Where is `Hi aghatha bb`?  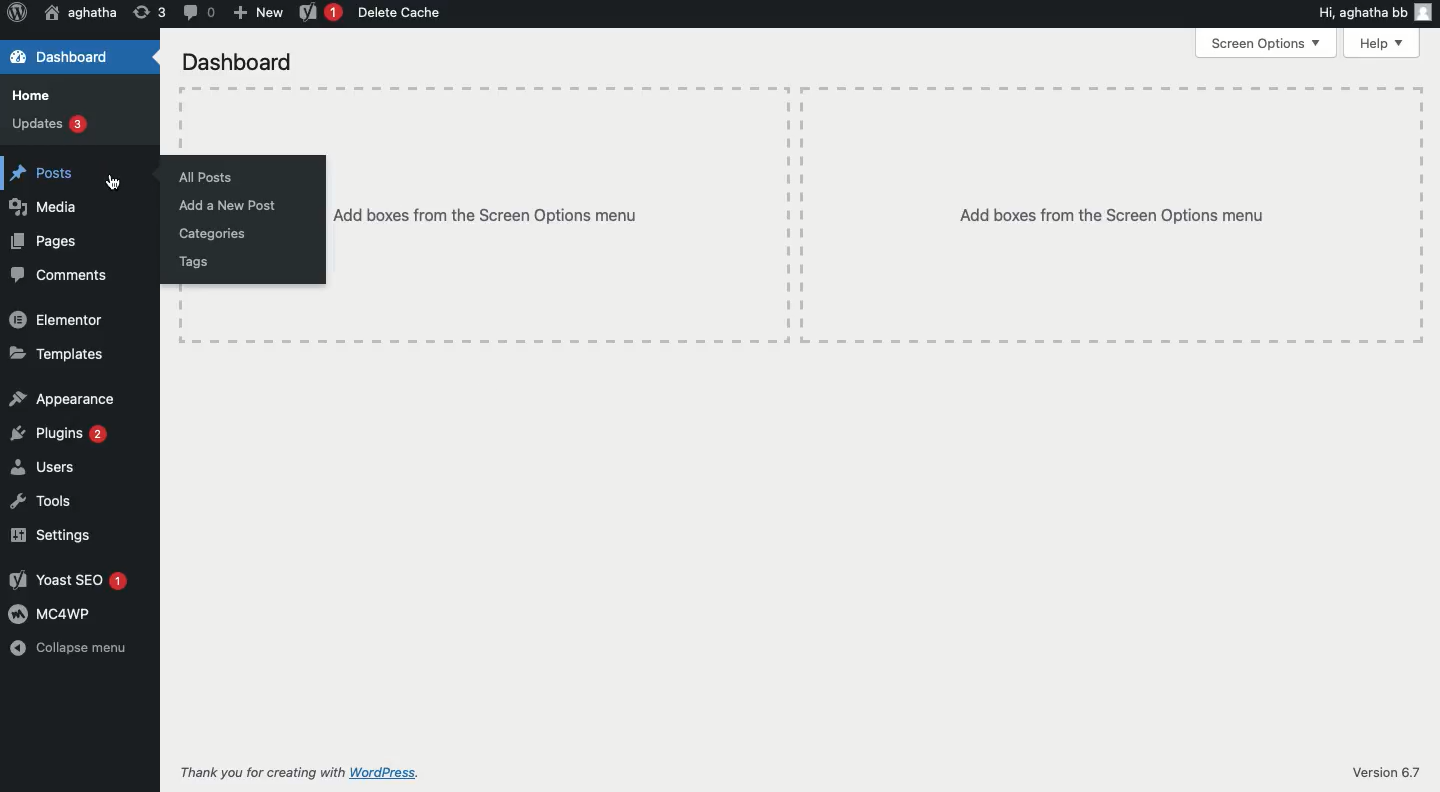
Hi aghatha bb is located at coordinates (1373, 11).